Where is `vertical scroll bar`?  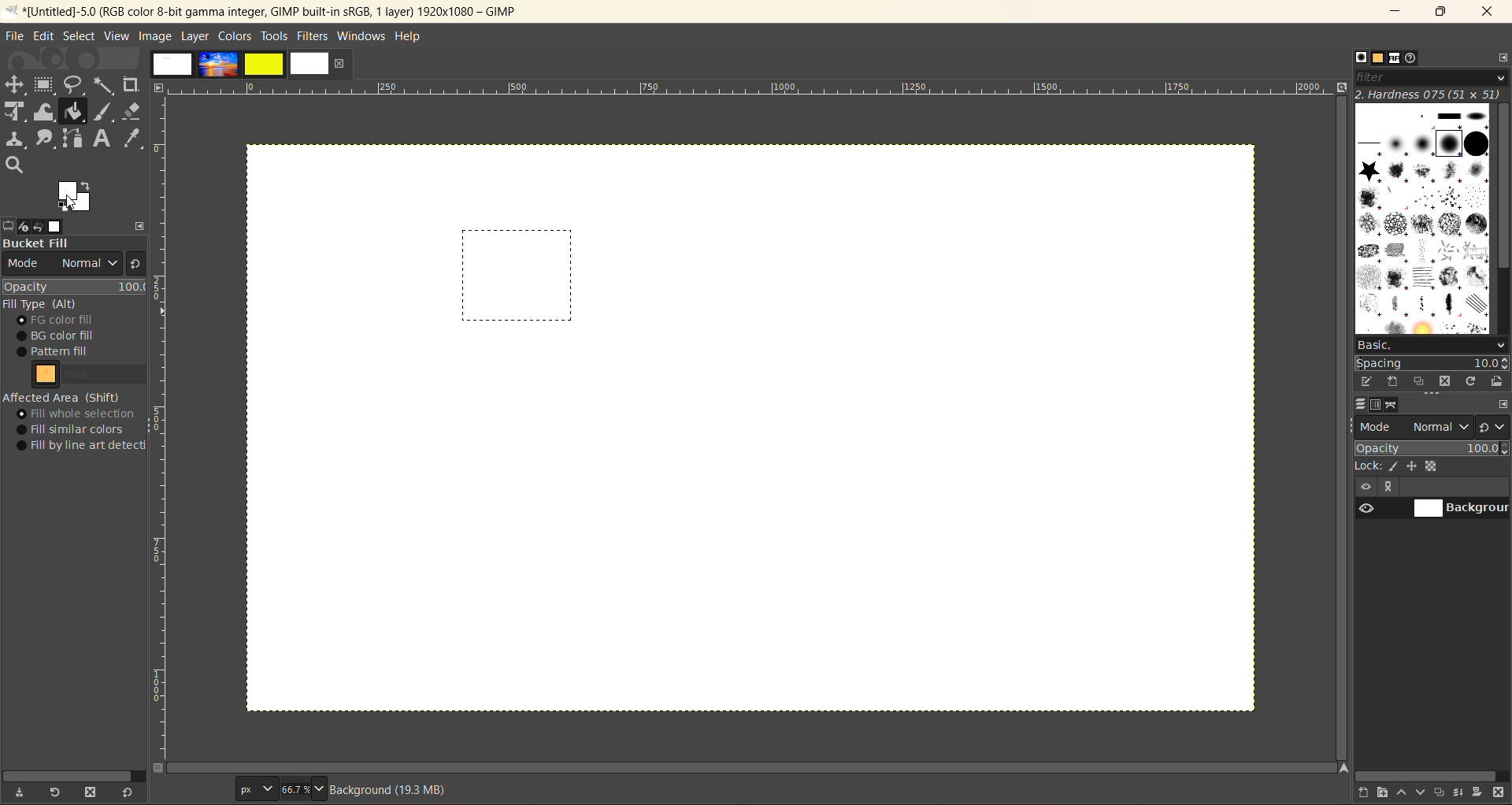
vertical scroll bar is located at coordinates (1501, 188).